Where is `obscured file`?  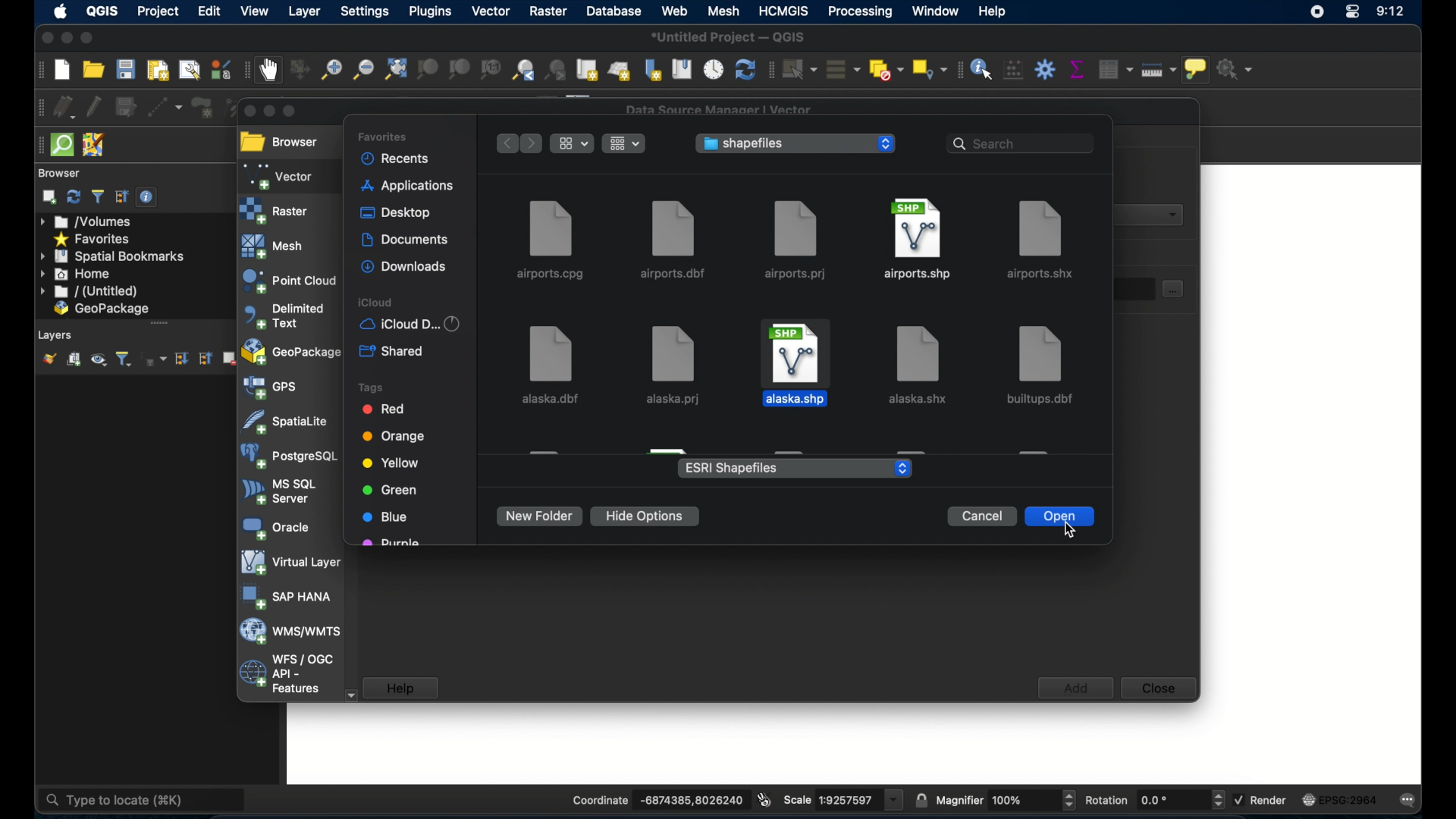 obscured file is located at coordinates (1034, 453).